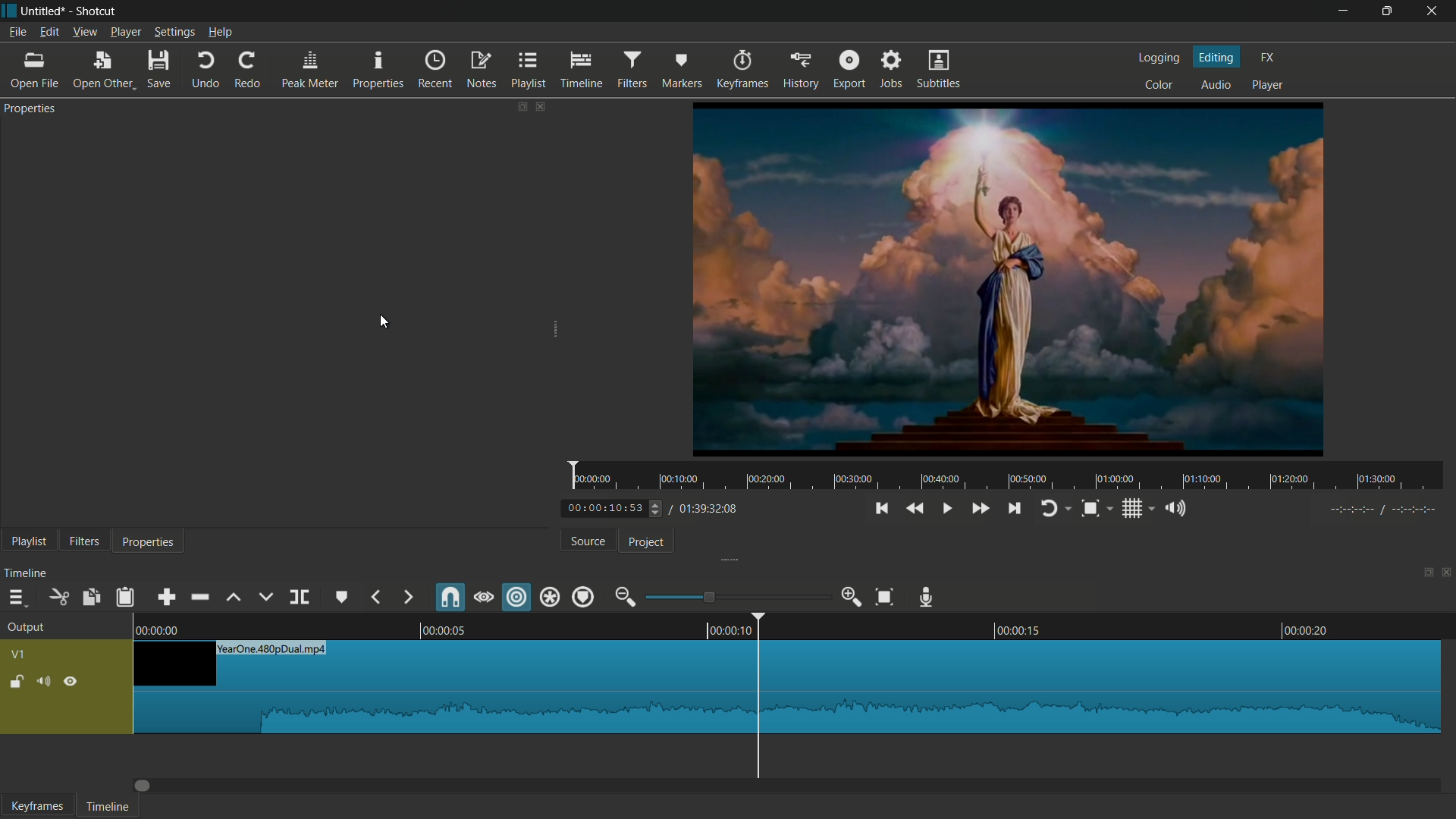 Image resolution: width=1456 pixels, height=819 pixels. Describe the element at coordinates (1156, 83) in the screenshot. I see `color` at that location.